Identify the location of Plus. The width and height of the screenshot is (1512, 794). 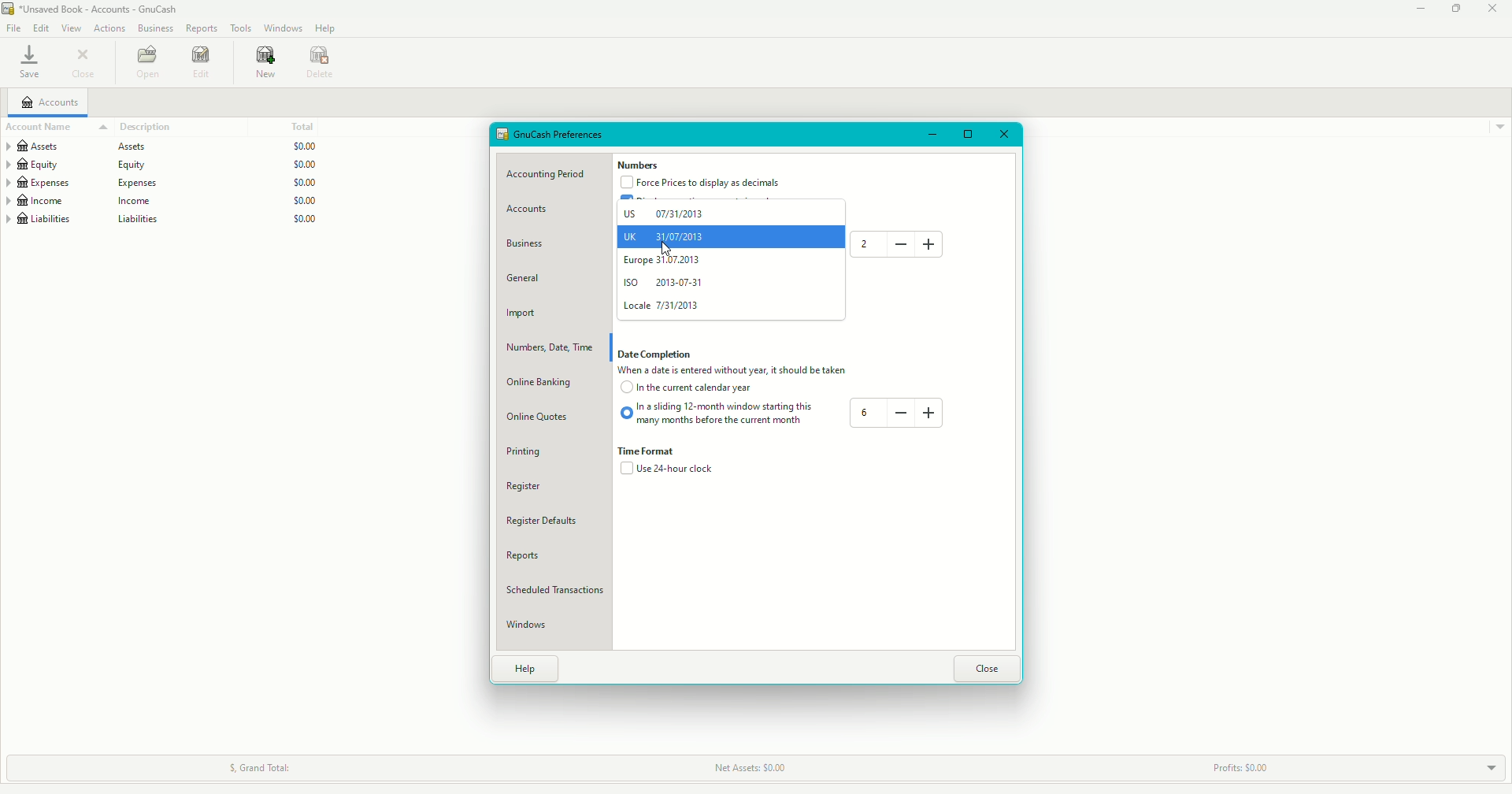
(929, 410).